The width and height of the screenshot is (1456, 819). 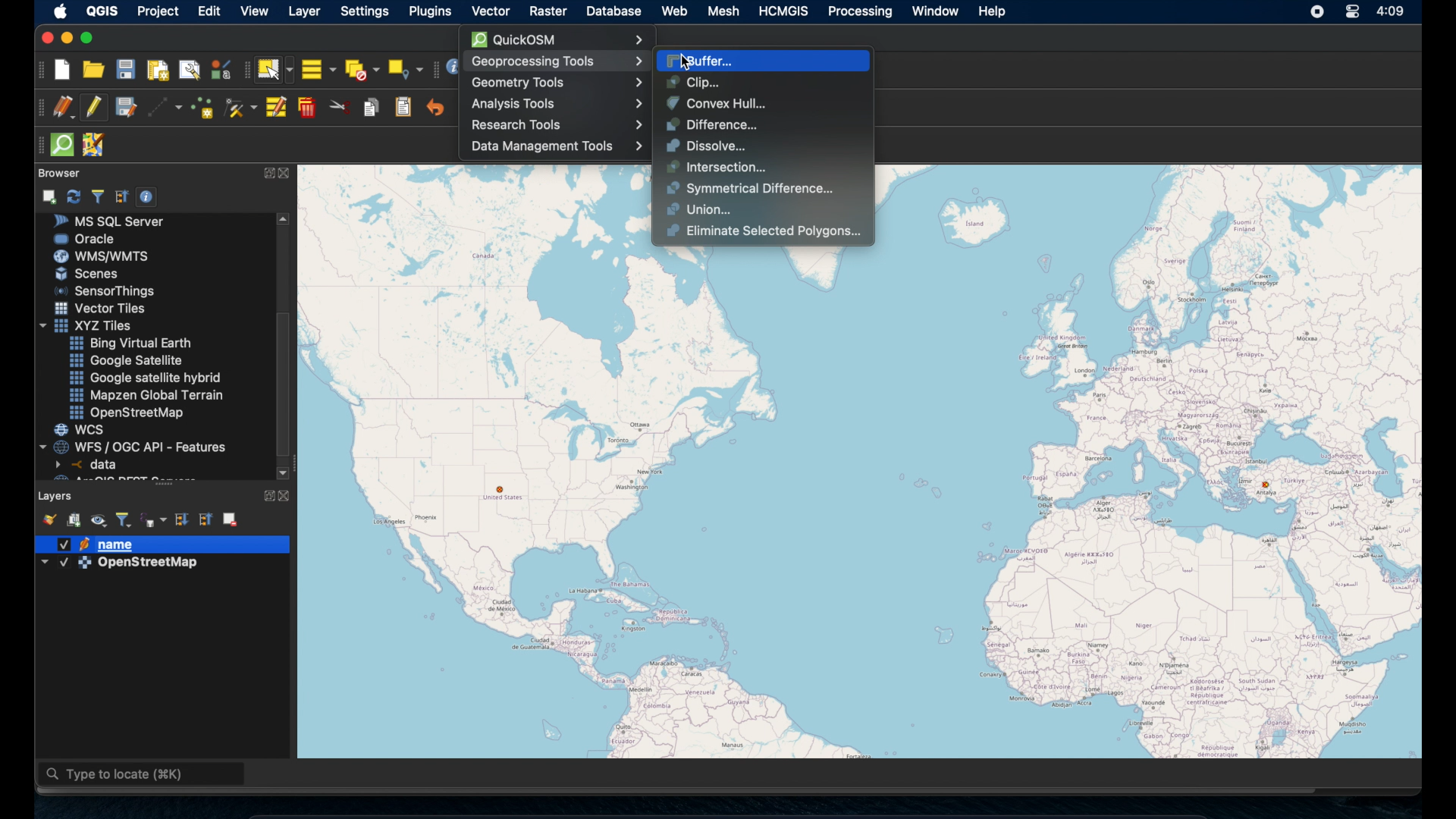 What do you see at coordinates (145, 379) in the screenshot?
I see `google satellite hybrid` at bounding box center [145, 379].